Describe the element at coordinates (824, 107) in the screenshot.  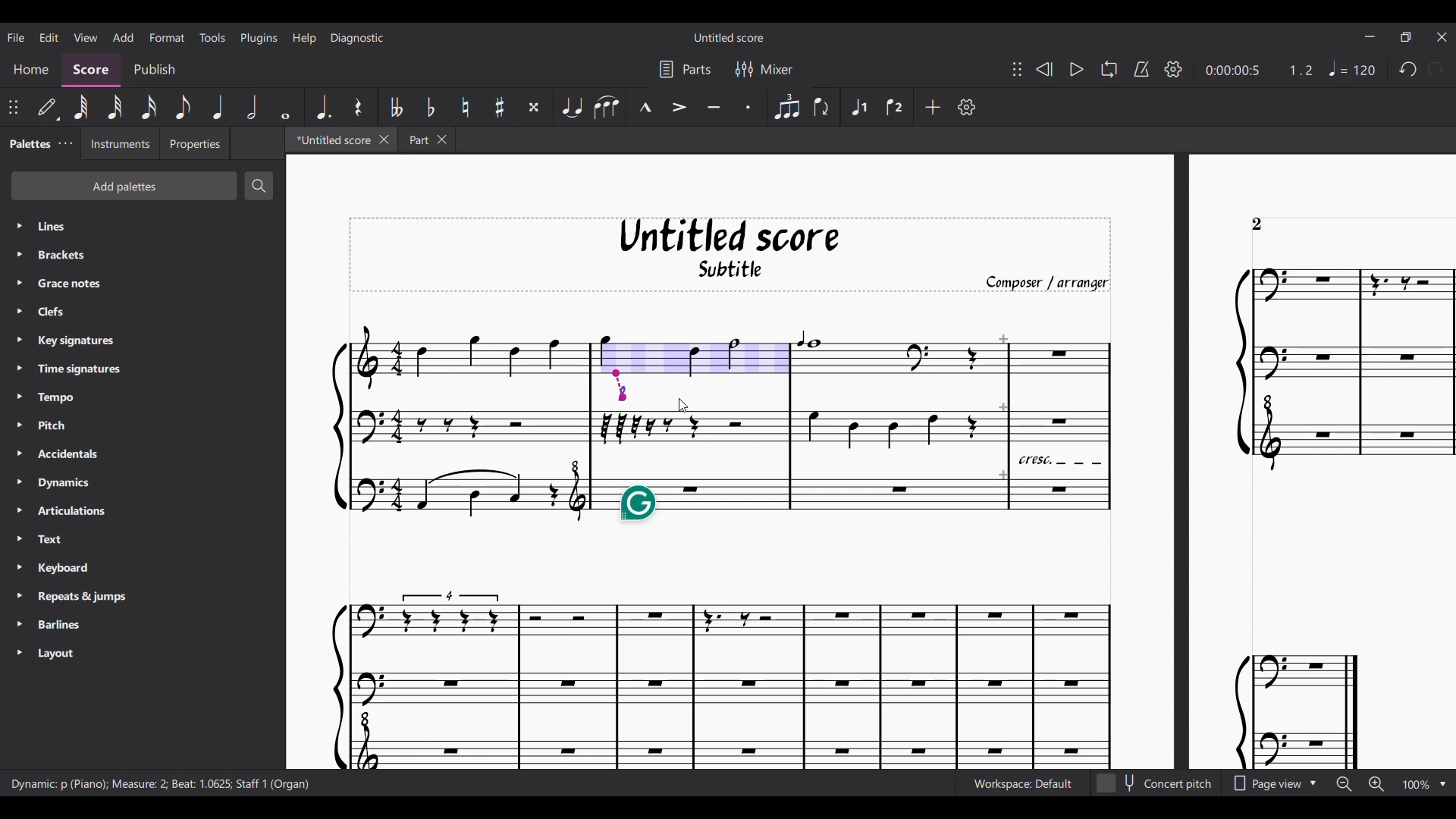
I see `Flip direction` at that location.